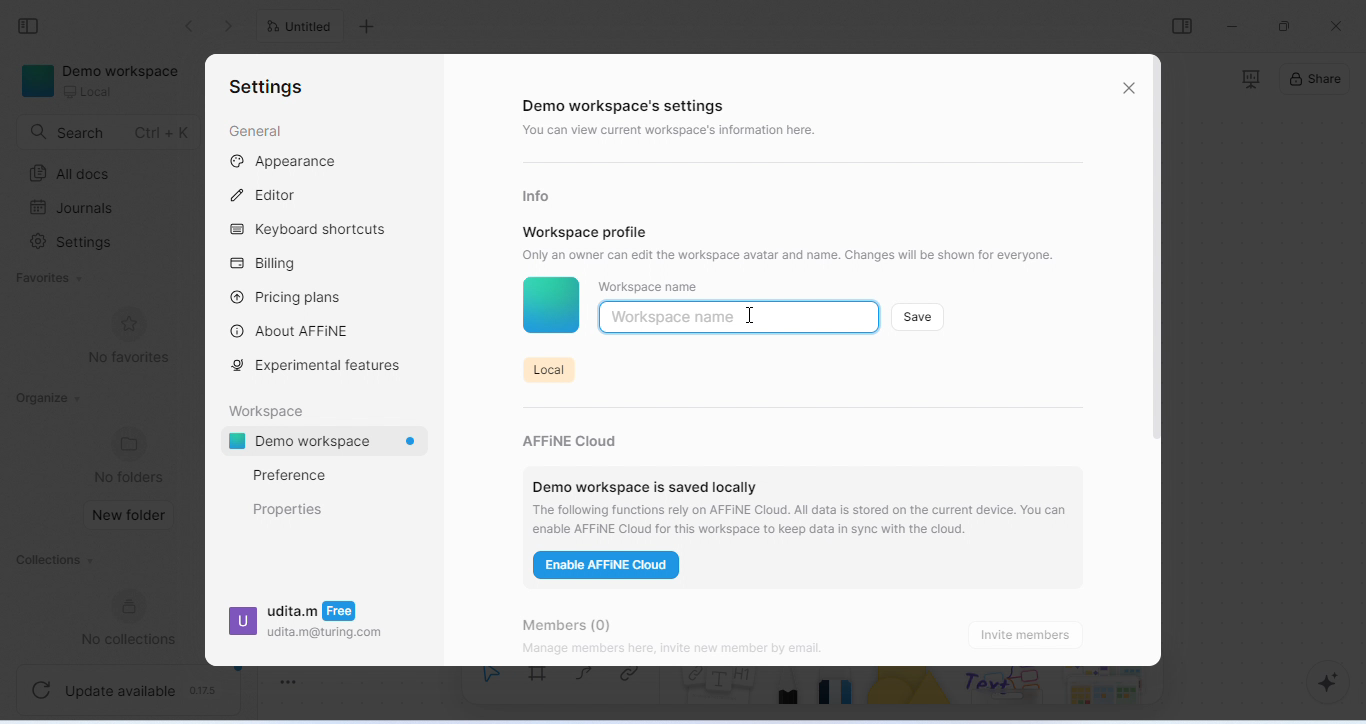 The height and width of the screenshot is (724, 1366). I want to click on curve, so click(589, 681).